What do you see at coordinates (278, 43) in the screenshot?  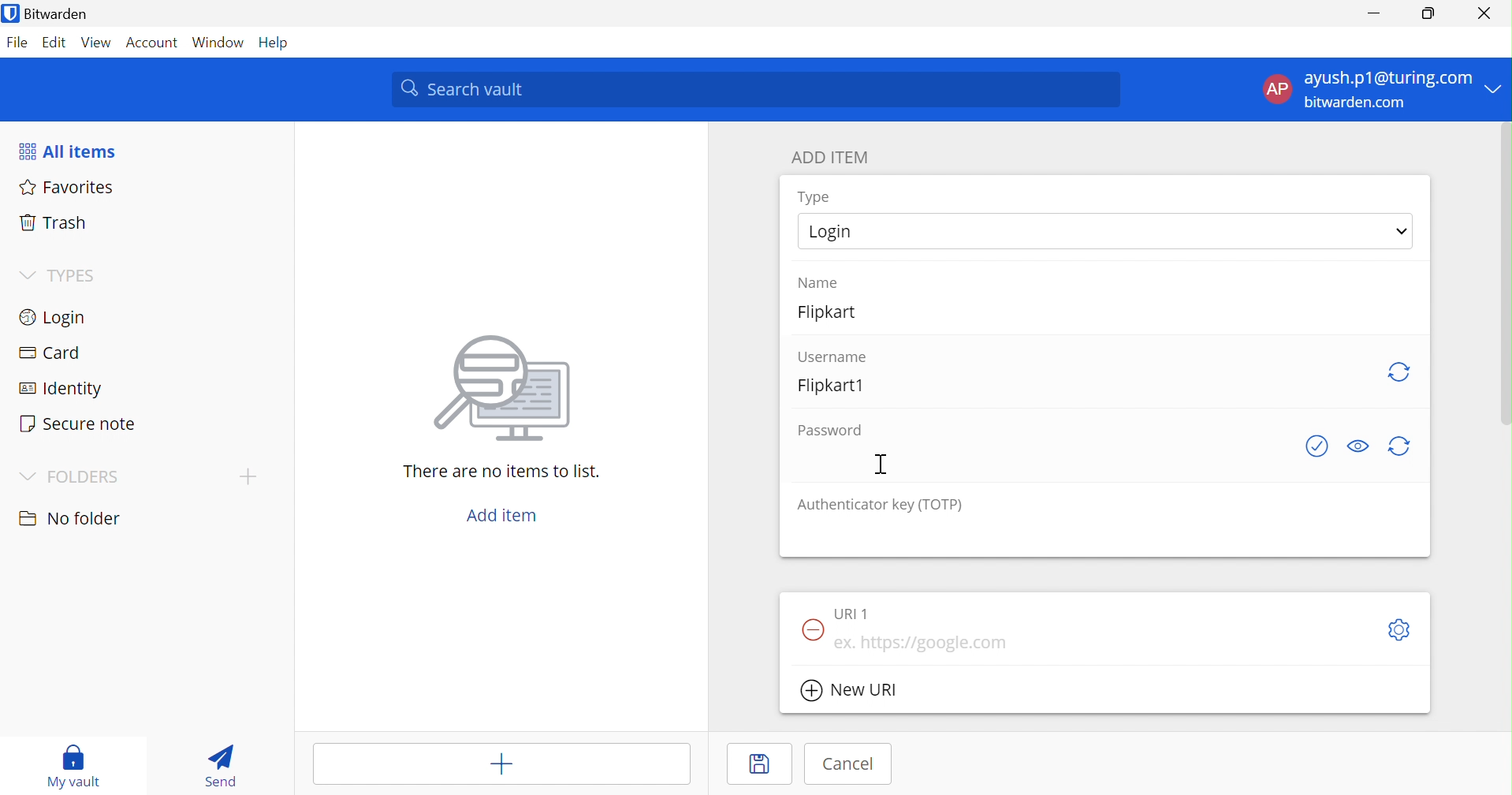 I see `Help` at bounding box center [278, 43].